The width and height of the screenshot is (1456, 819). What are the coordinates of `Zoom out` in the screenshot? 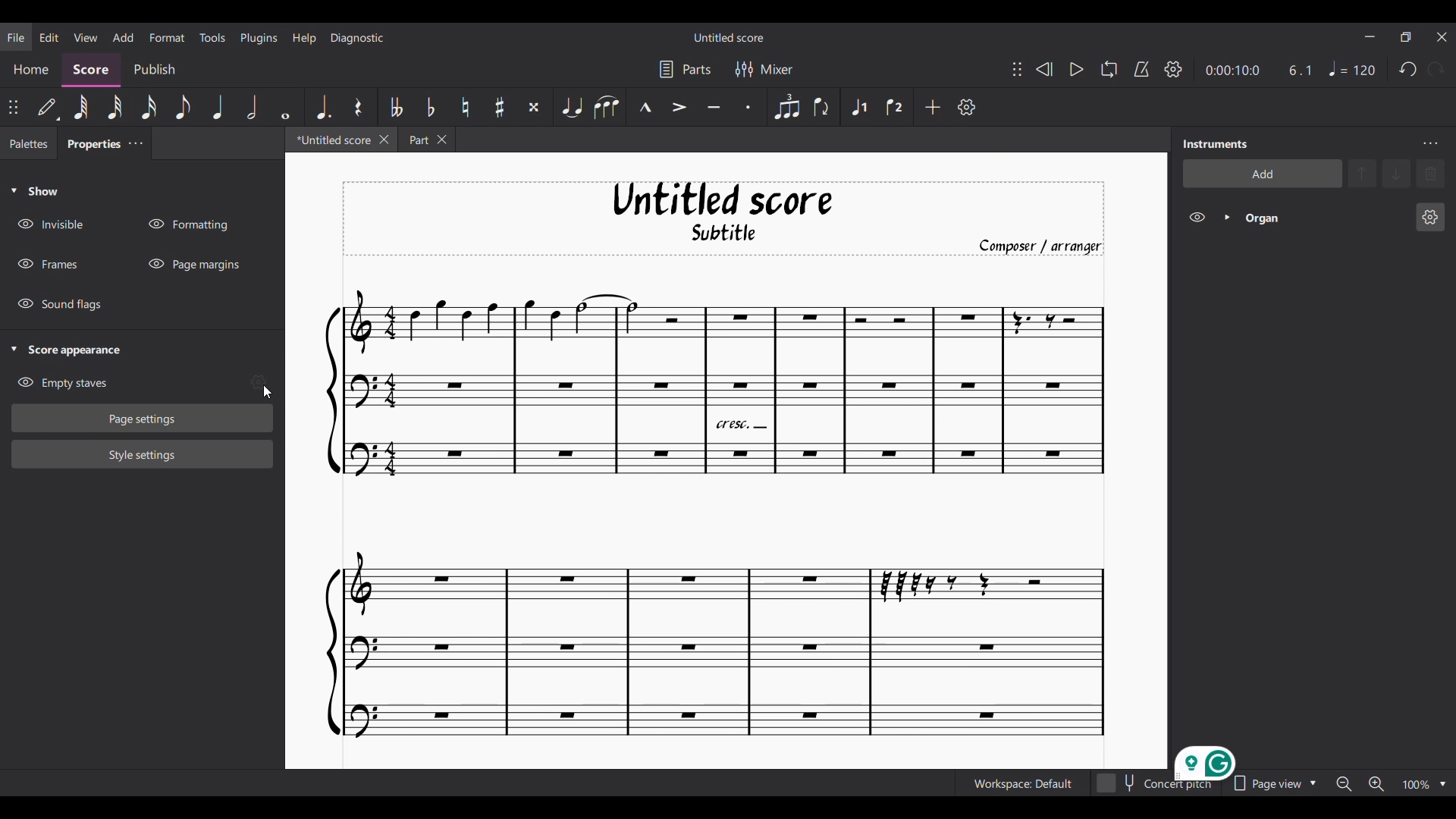 It's located at (1344, 783).